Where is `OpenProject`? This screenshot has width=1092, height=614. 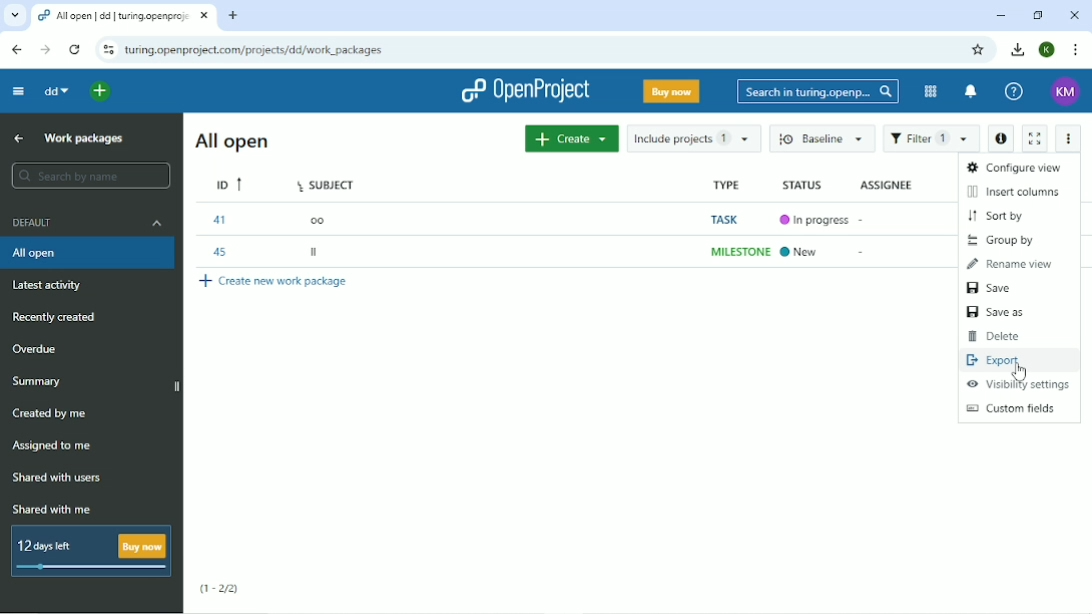 OpenProject is located at coordinates (524, 91).